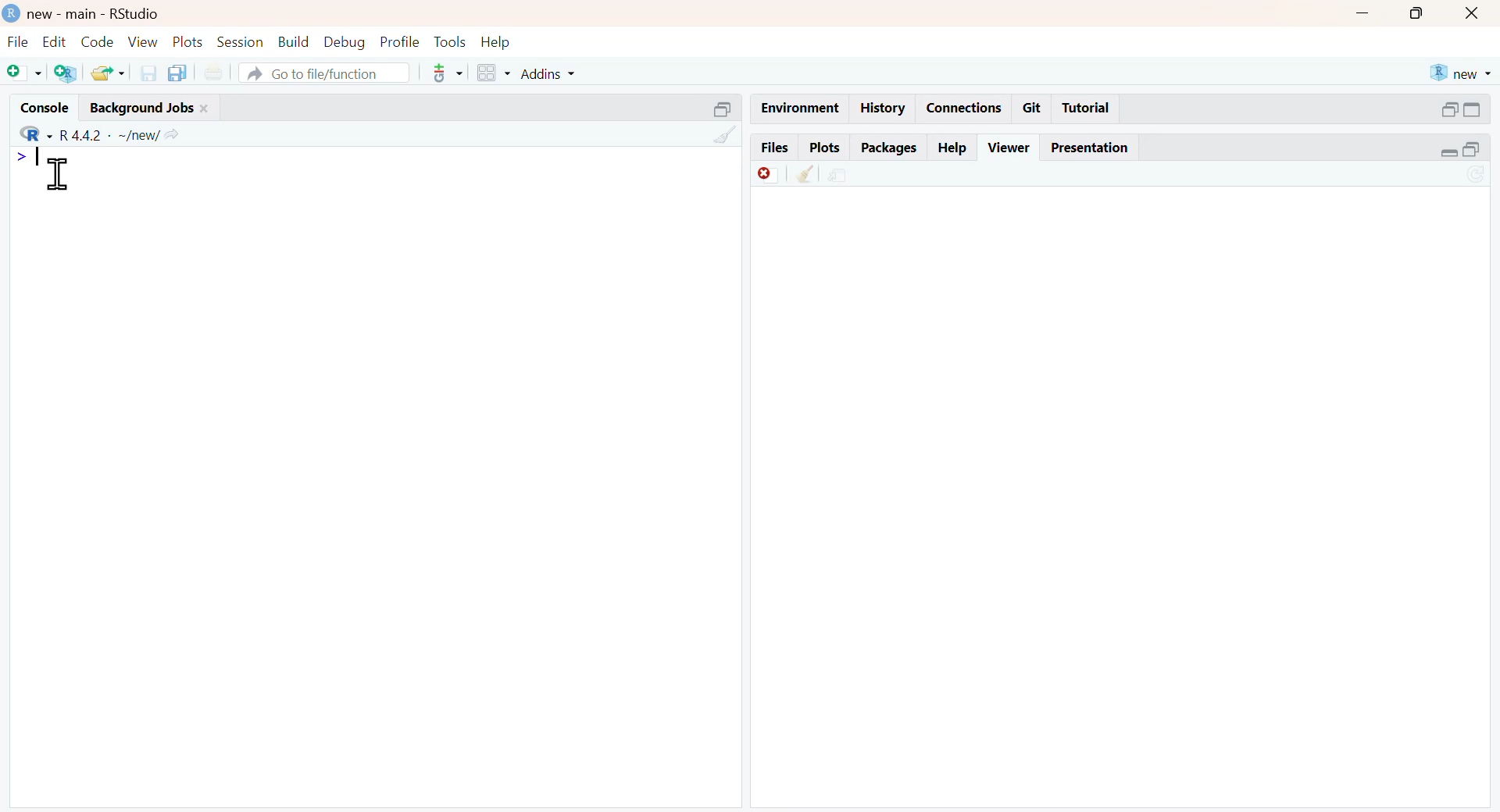  What do you see at coordinates (177, 73) in the screenshot?
I see `copy` at bounding box center [177, 73].